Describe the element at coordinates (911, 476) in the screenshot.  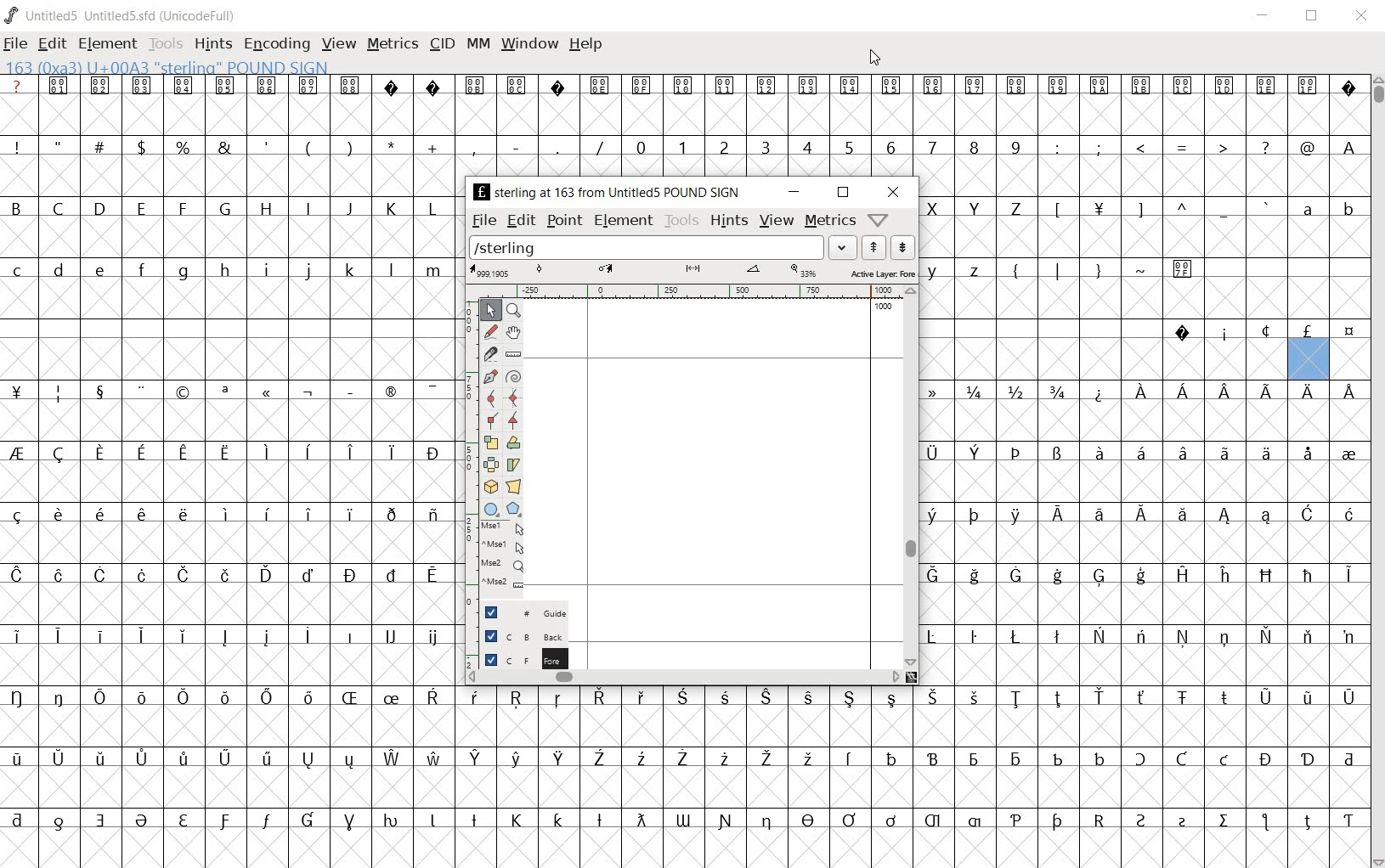
I see `scrollbar` at that location.